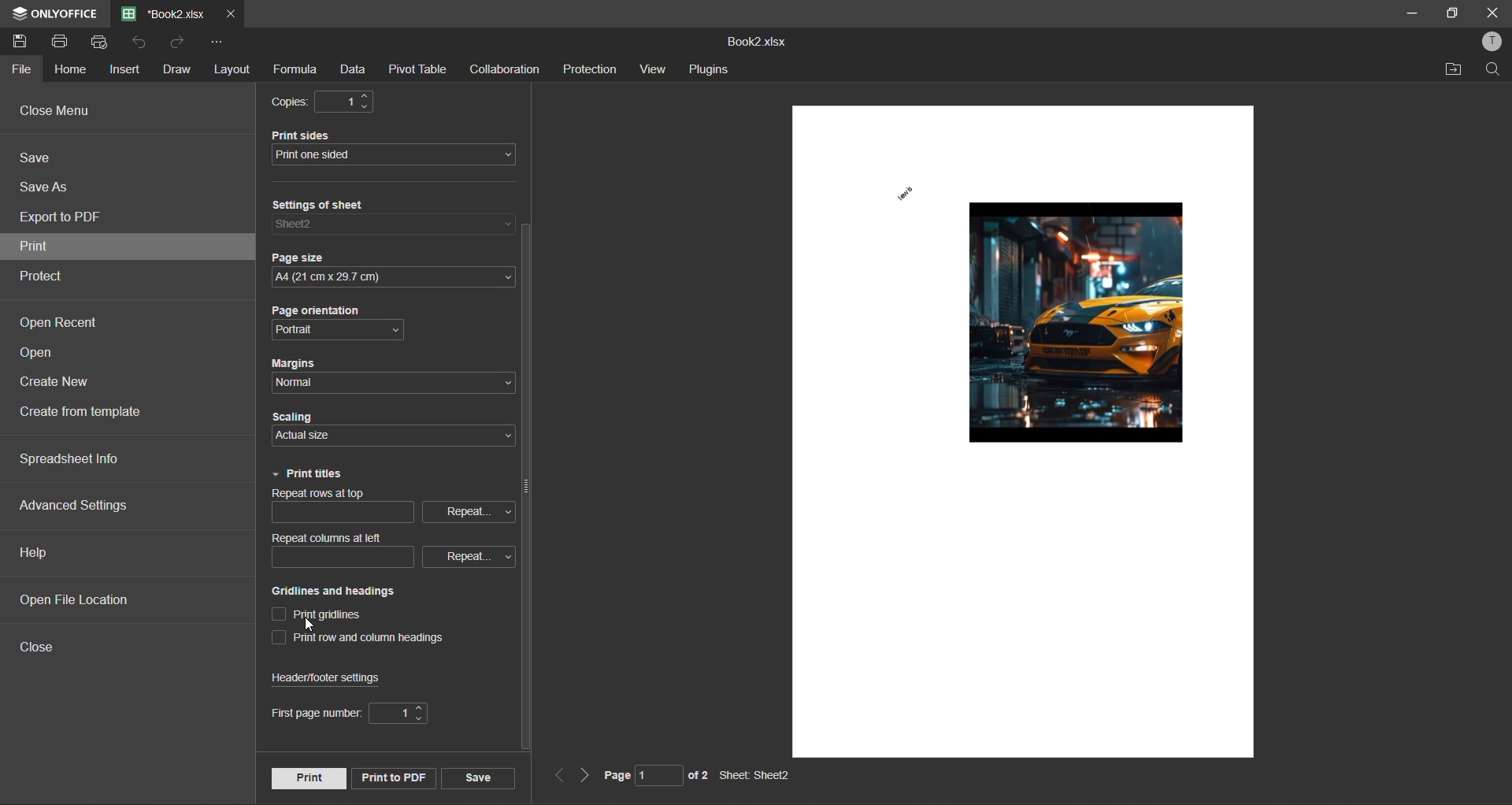  Describe the element at coordinates (1490, 42) in the screenshot. I see `profile` at that location.